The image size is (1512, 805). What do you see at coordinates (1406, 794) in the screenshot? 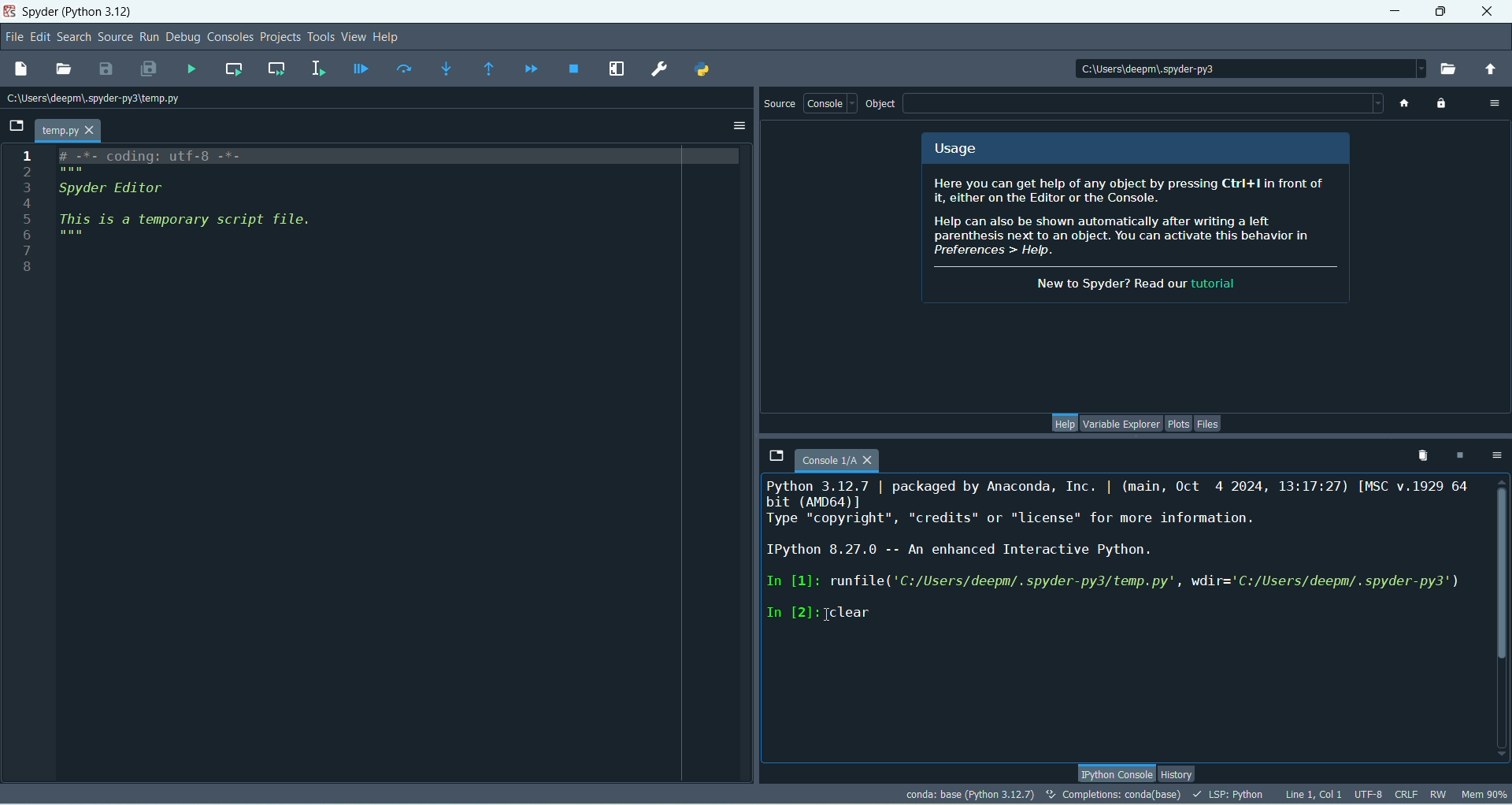
I see `CRLF` at bounding box center [1406, 794].